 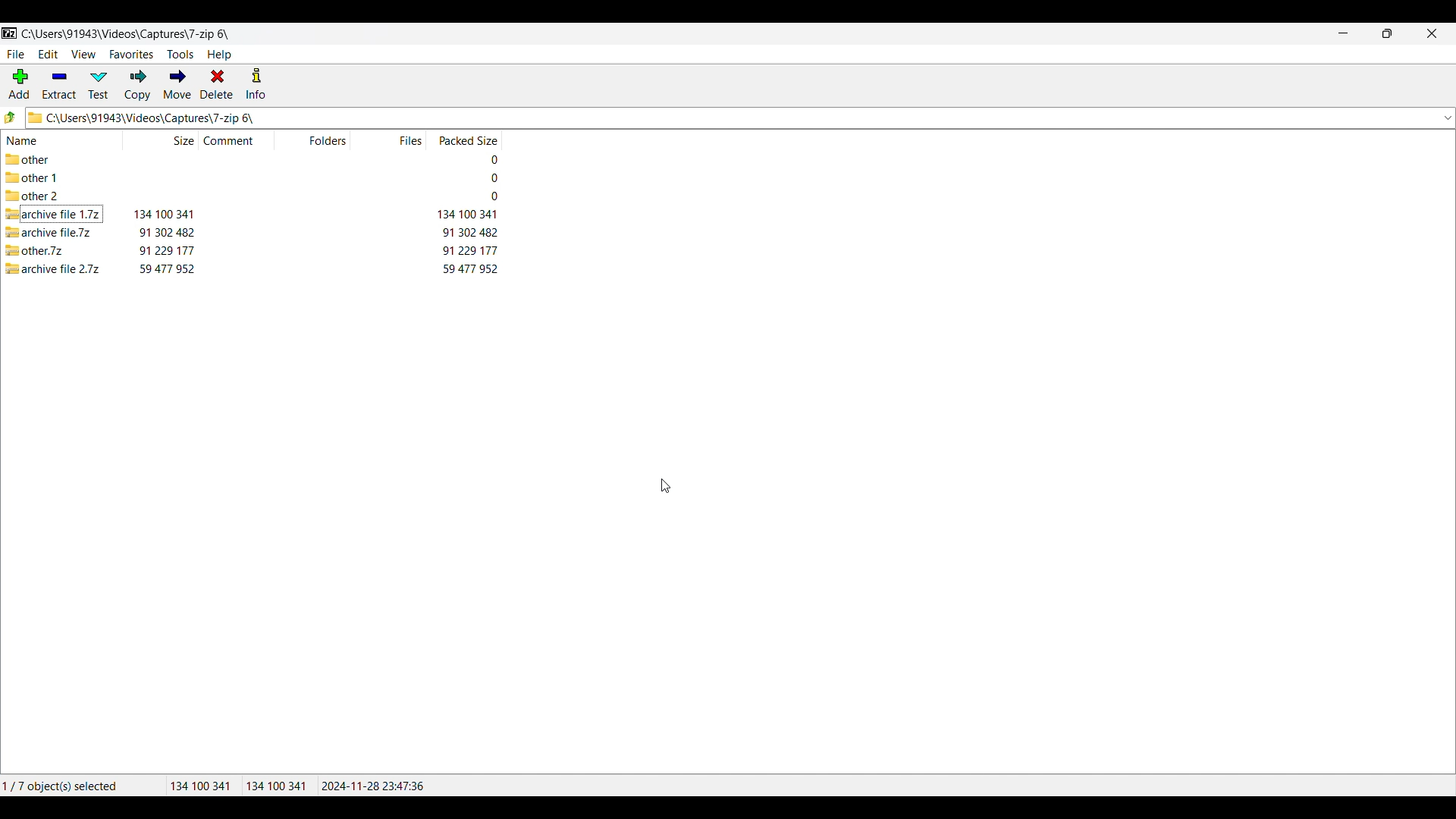 I want to click on Favorites menu, so click(x=131, y=55).